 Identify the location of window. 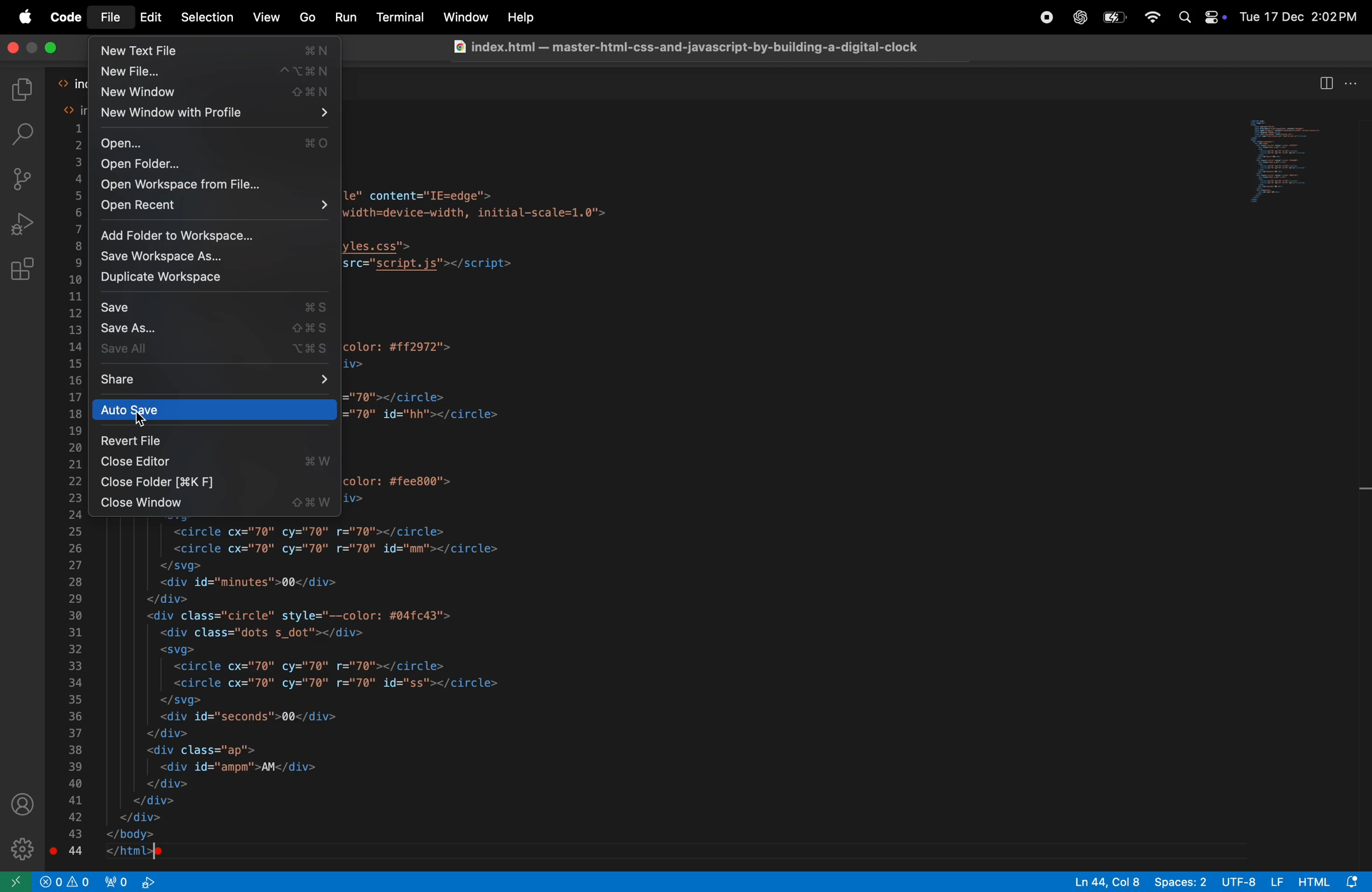
(463, 17).